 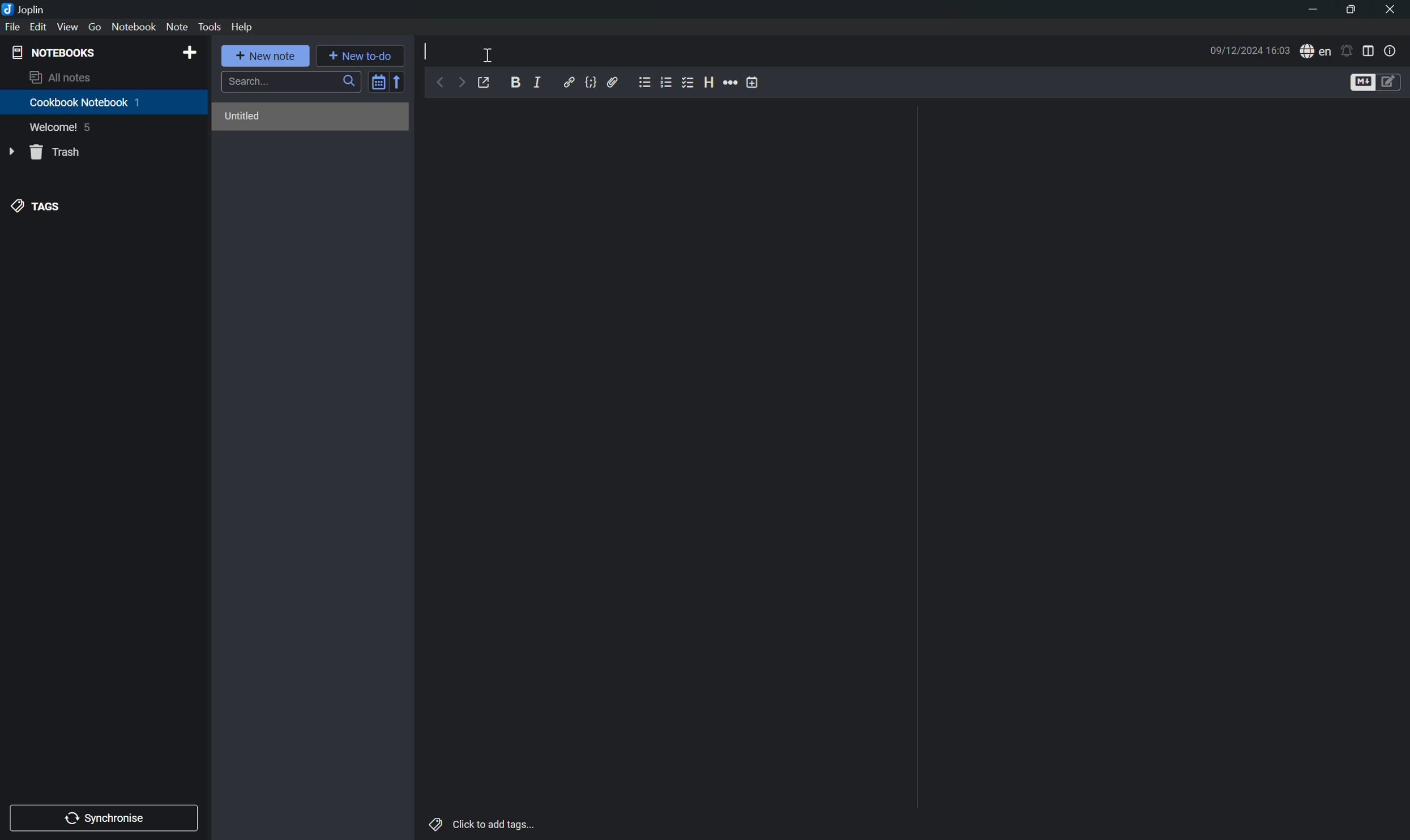 What do you see at coordinates (210, 27) in the screenshot?
I see `Tools` at bounding box center [210, 27].